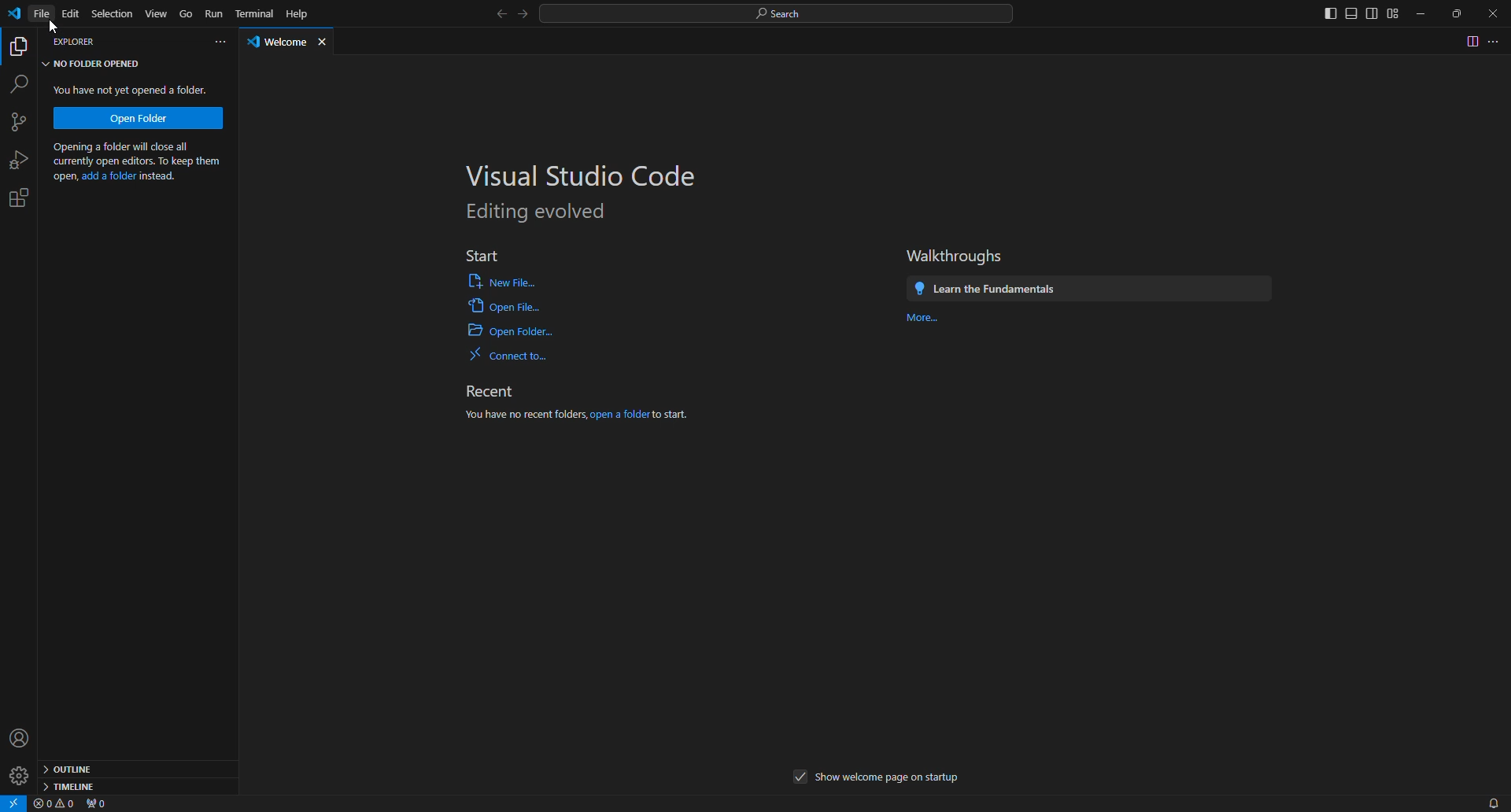 Image resolution: width=1511 pixels, height=812 pixels. What do you see at coordinates (71, 786) in the screenshot?
I see `timeline` at bounding box center [71, 786].